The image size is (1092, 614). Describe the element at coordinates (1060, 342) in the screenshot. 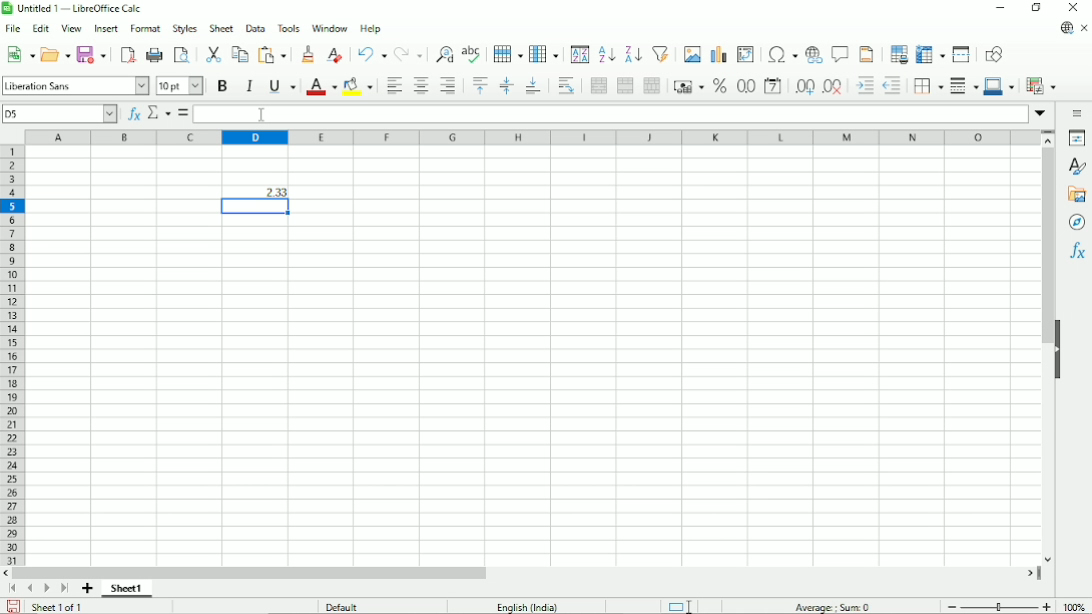

I see `Hide` at that location.